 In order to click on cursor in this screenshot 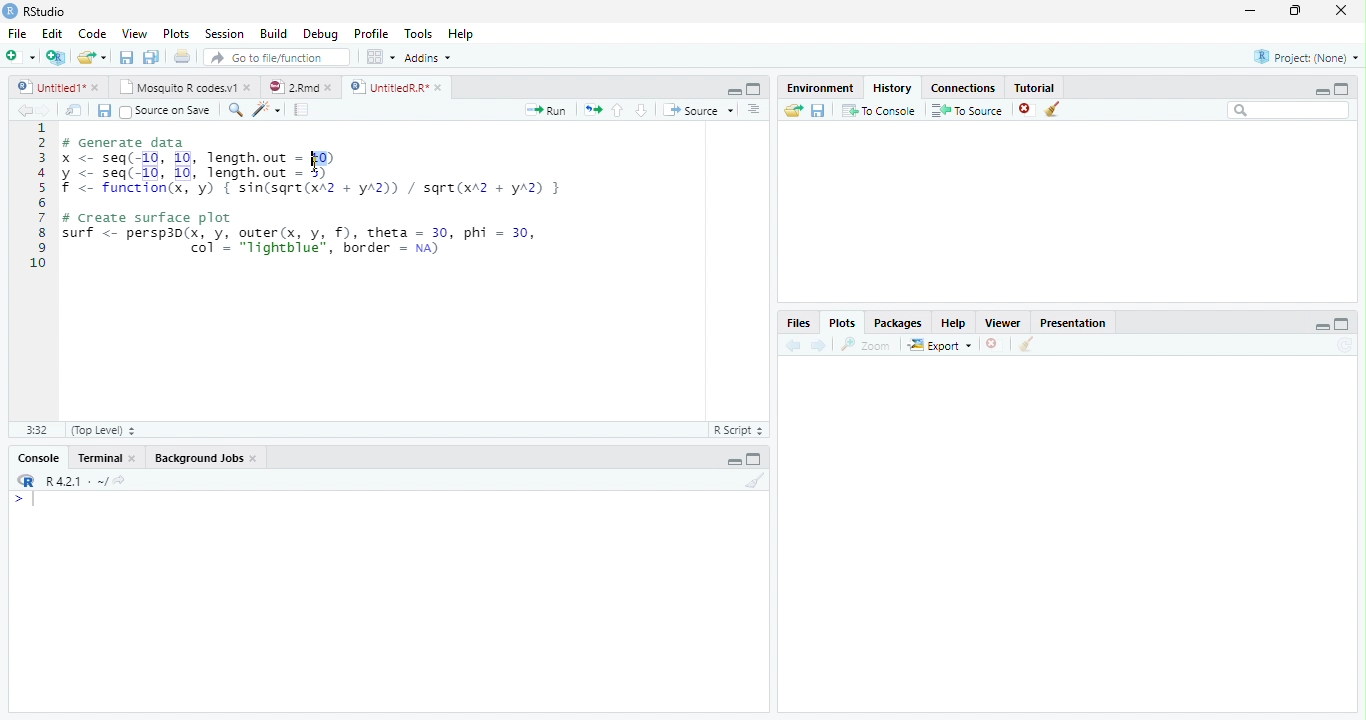, I will do `click(318, 164)`.